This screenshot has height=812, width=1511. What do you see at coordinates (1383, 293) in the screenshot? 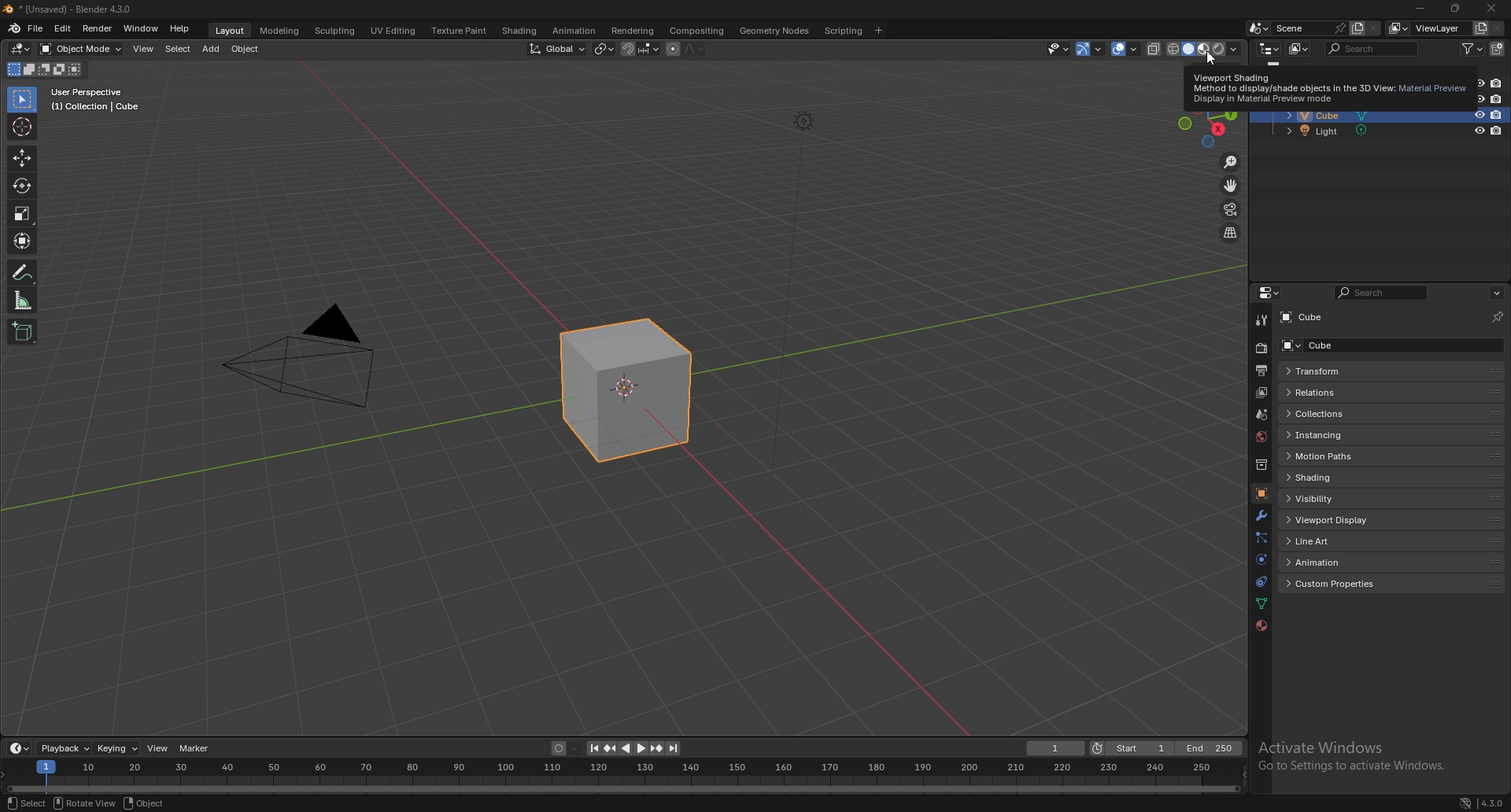
I see `search` at bounding box center [1383, 293].